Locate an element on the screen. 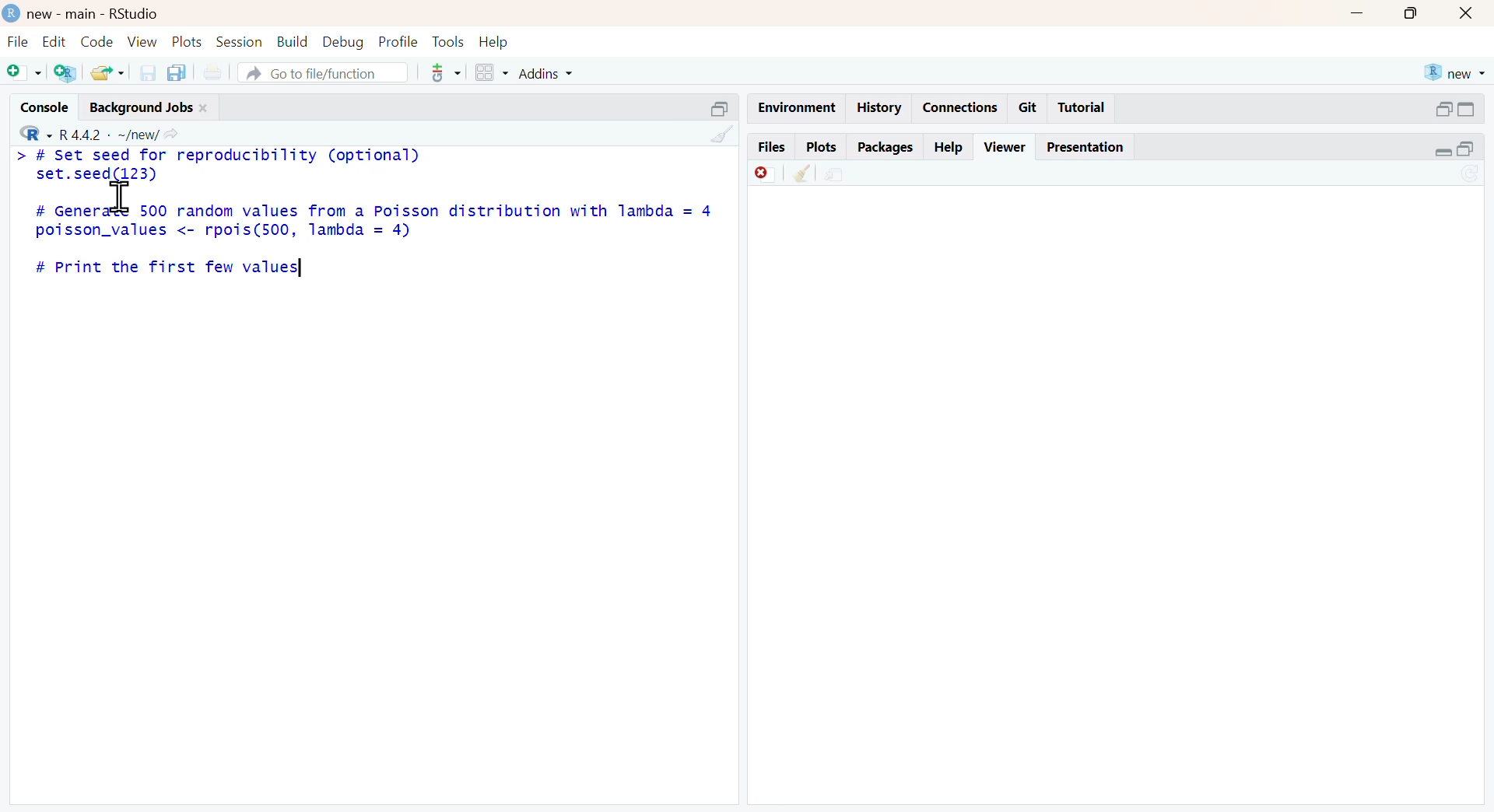  expand/collapse is located at coordinates (1468, 110).